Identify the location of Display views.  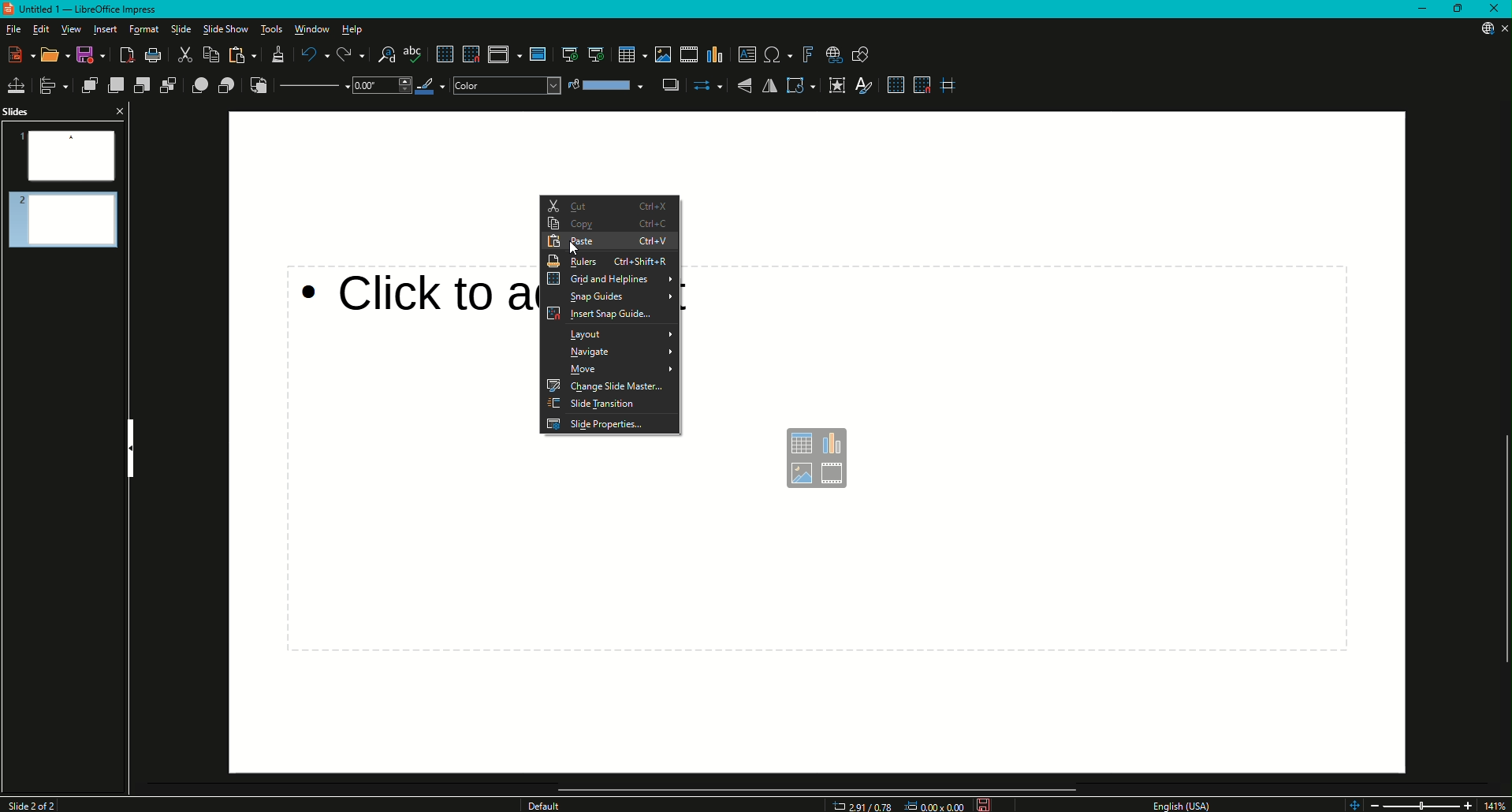
(501, 54).